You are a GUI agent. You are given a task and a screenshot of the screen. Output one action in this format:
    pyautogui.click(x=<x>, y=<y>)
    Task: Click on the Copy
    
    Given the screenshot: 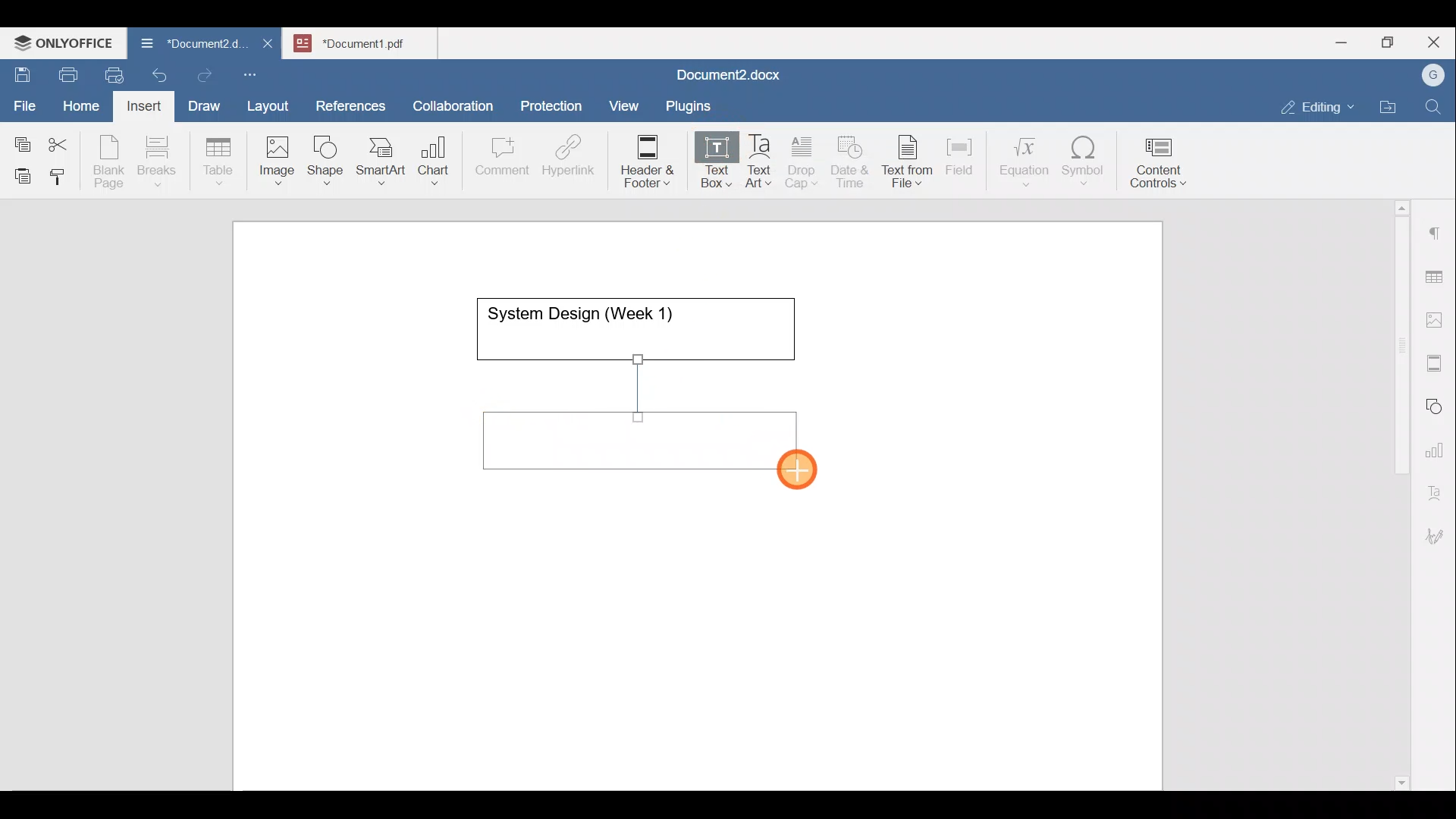 What is the action you would take?
    pyautogui.click(x=20, y=140)
    